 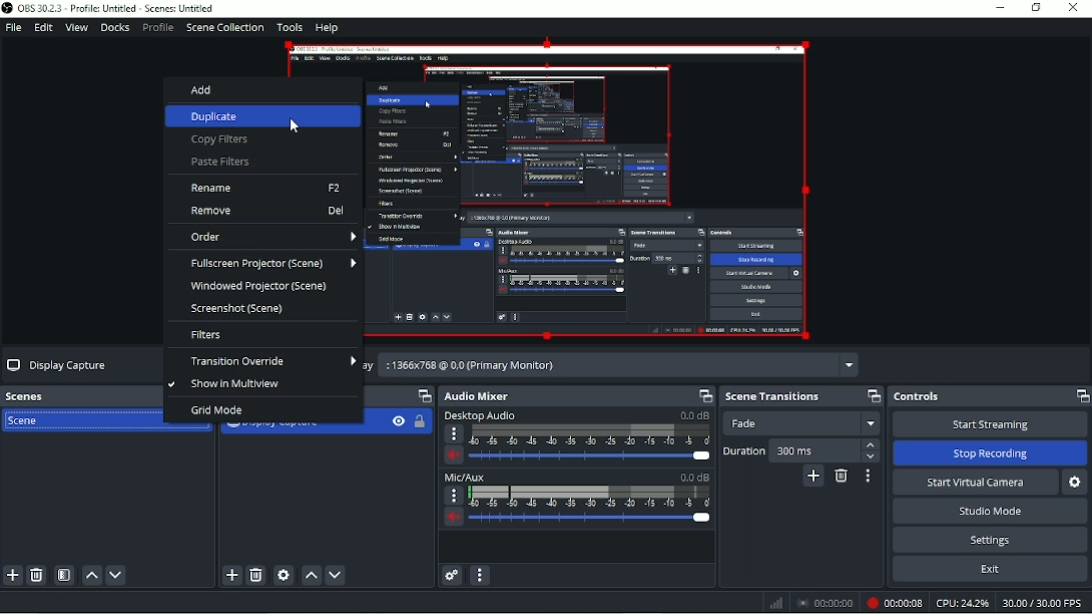 What do you see at coordinates (451, 495) in the screenshot?
I see `More Options` at bounding box center [451, 495].